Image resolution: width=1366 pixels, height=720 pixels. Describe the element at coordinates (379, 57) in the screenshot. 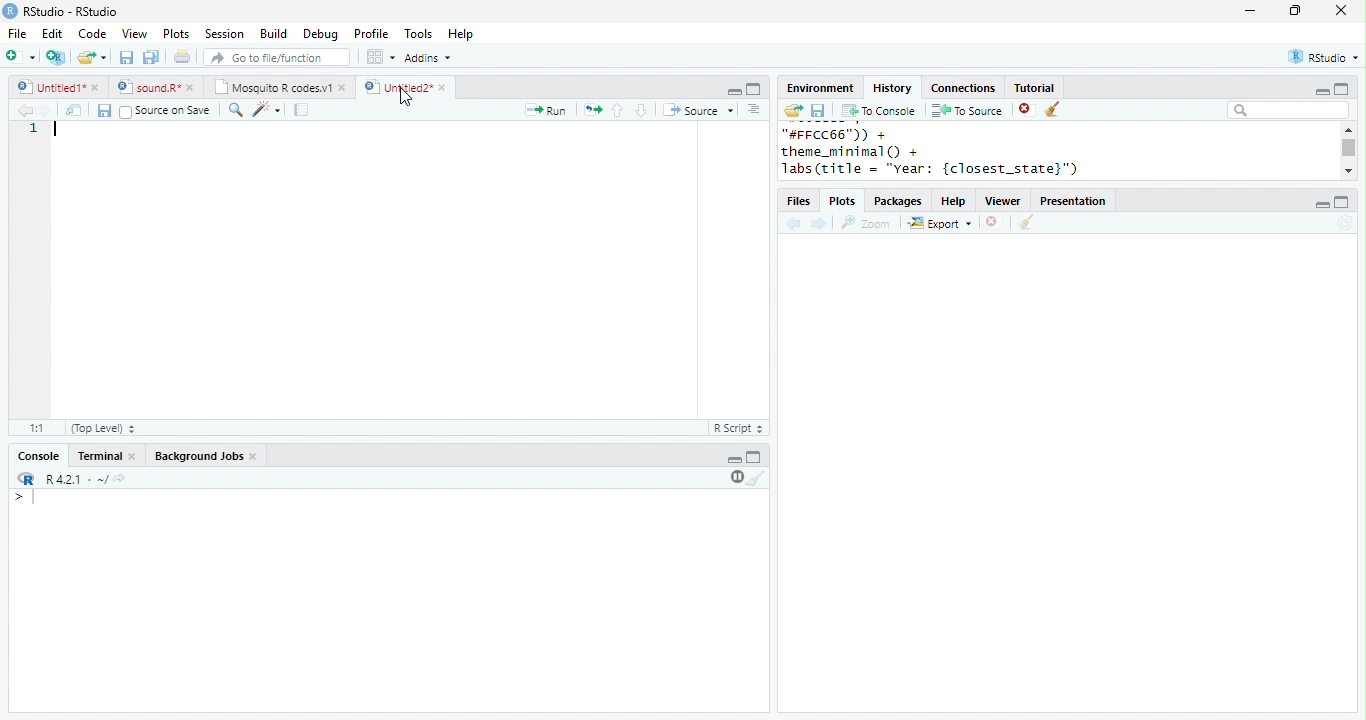

I see `options` at that location.